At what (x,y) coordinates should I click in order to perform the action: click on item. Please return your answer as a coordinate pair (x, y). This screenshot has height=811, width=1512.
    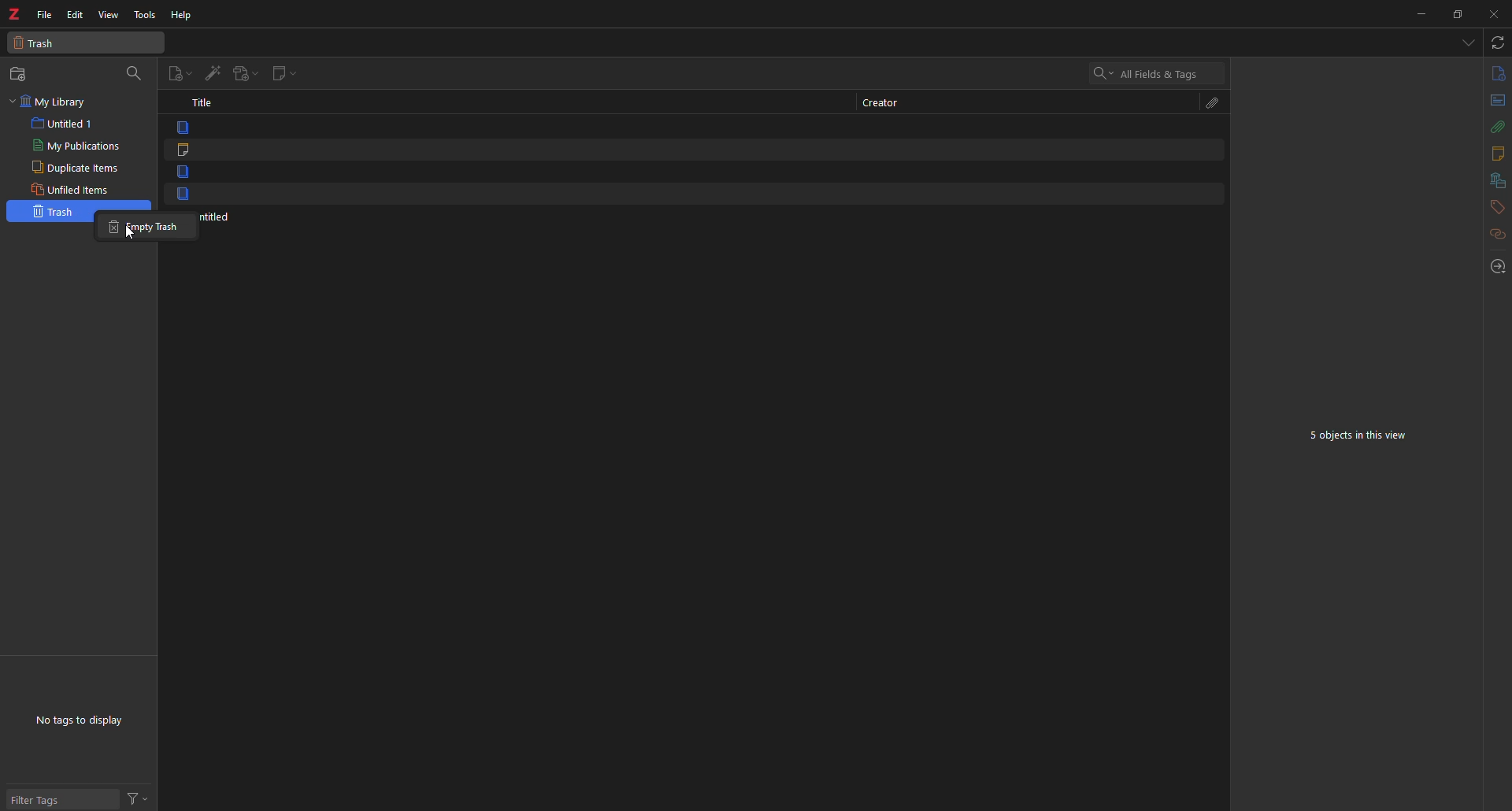
    Looking at the image, I should click on (182, 193).